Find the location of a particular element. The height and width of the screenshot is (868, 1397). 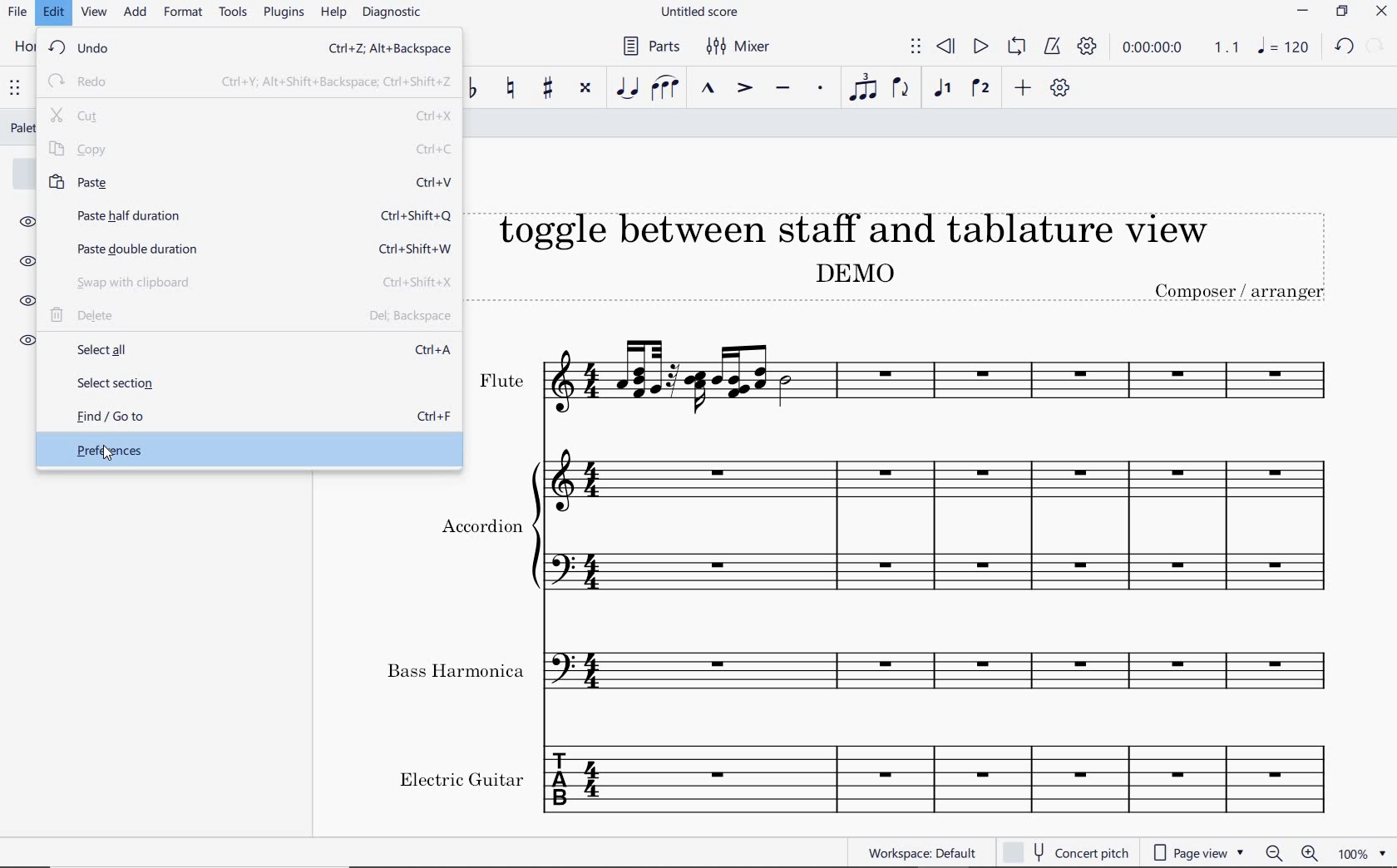

select section is located at coordinates (248, 384).